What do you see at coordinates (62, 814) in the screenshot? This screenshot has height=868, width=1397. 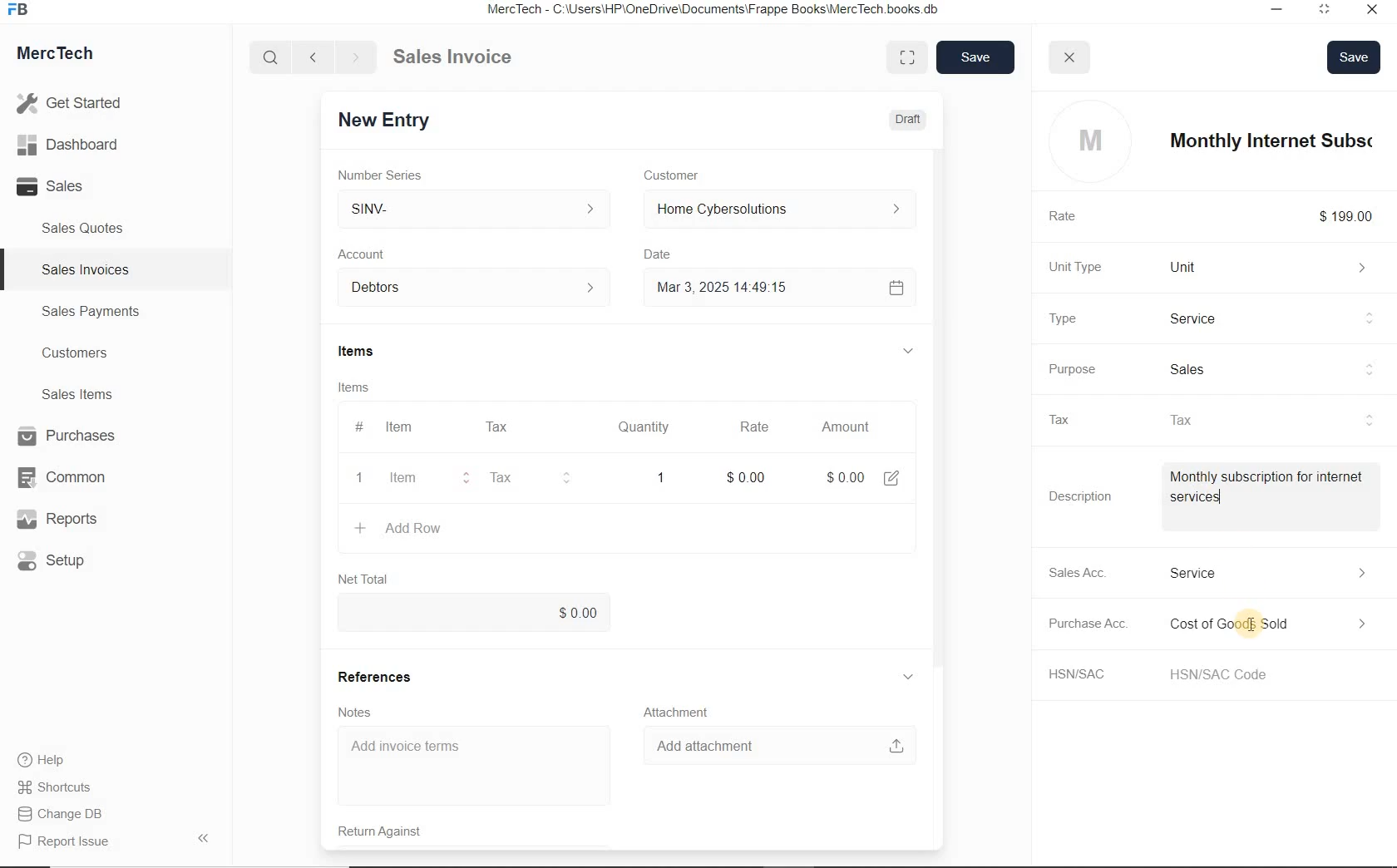 I see `Change DB` at bounding box center [62, 814].